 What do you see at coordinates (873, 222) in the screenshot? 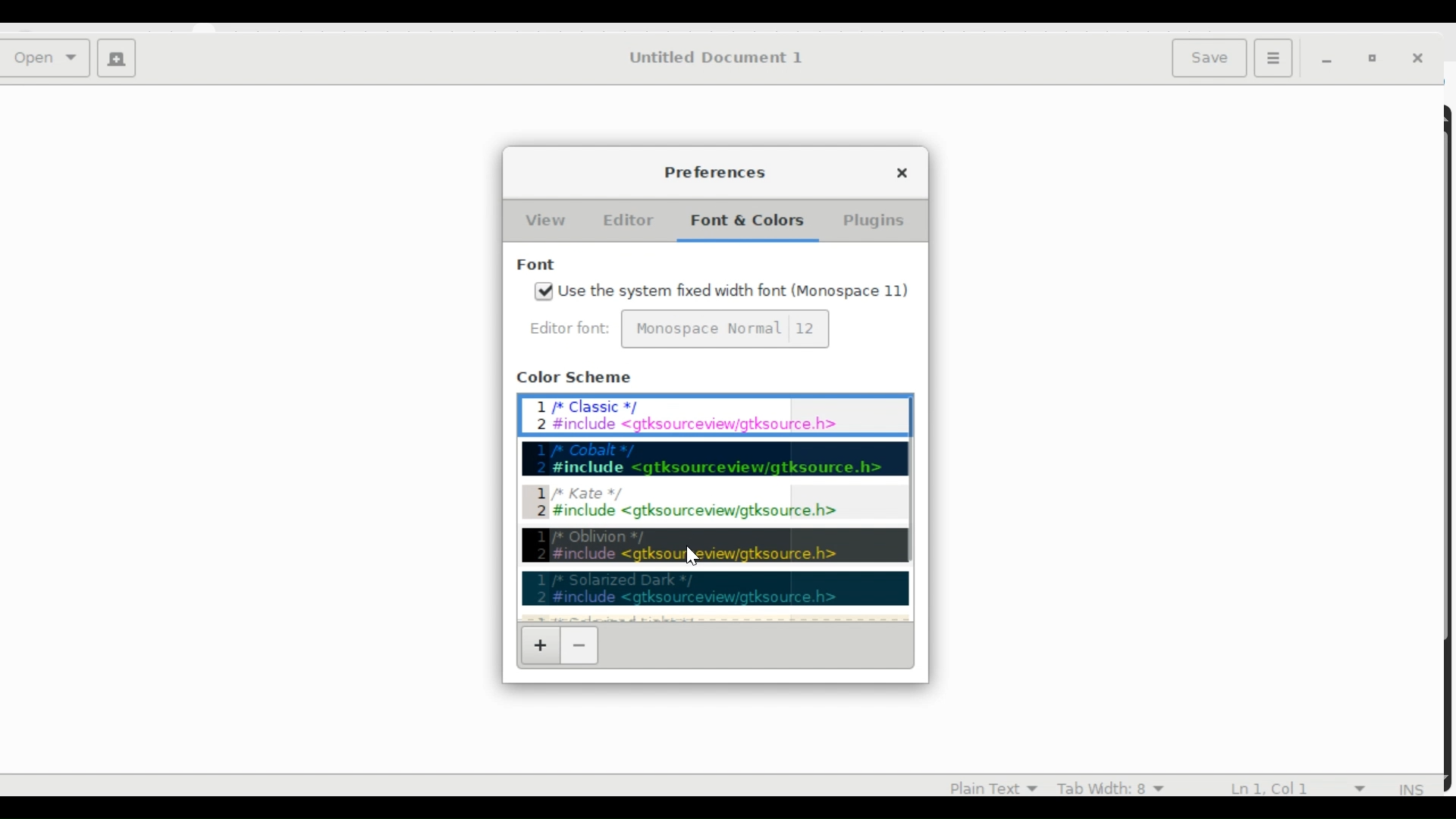
I see `Plugins` at bounding box center [873, 222].